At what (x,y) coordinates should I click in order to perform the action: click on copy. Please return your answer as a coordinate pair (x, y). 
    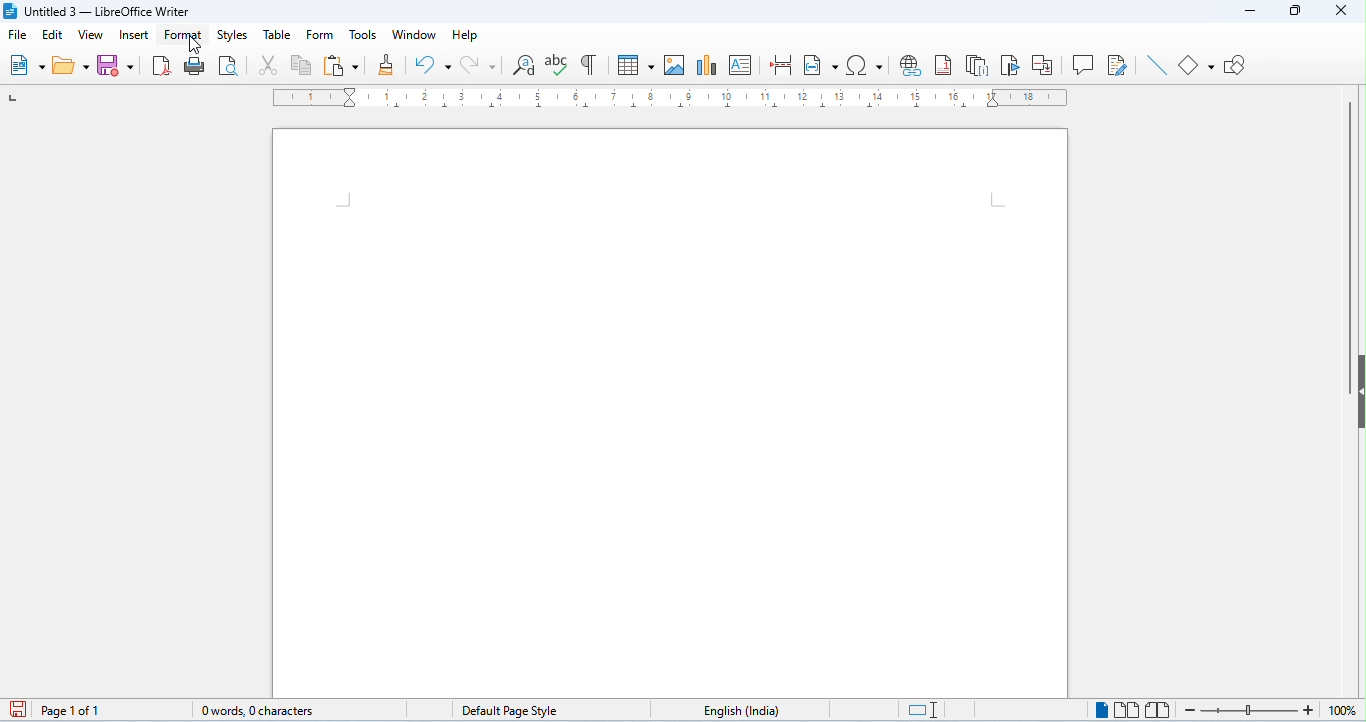
    Looking at the image, I should click on (303, 65).